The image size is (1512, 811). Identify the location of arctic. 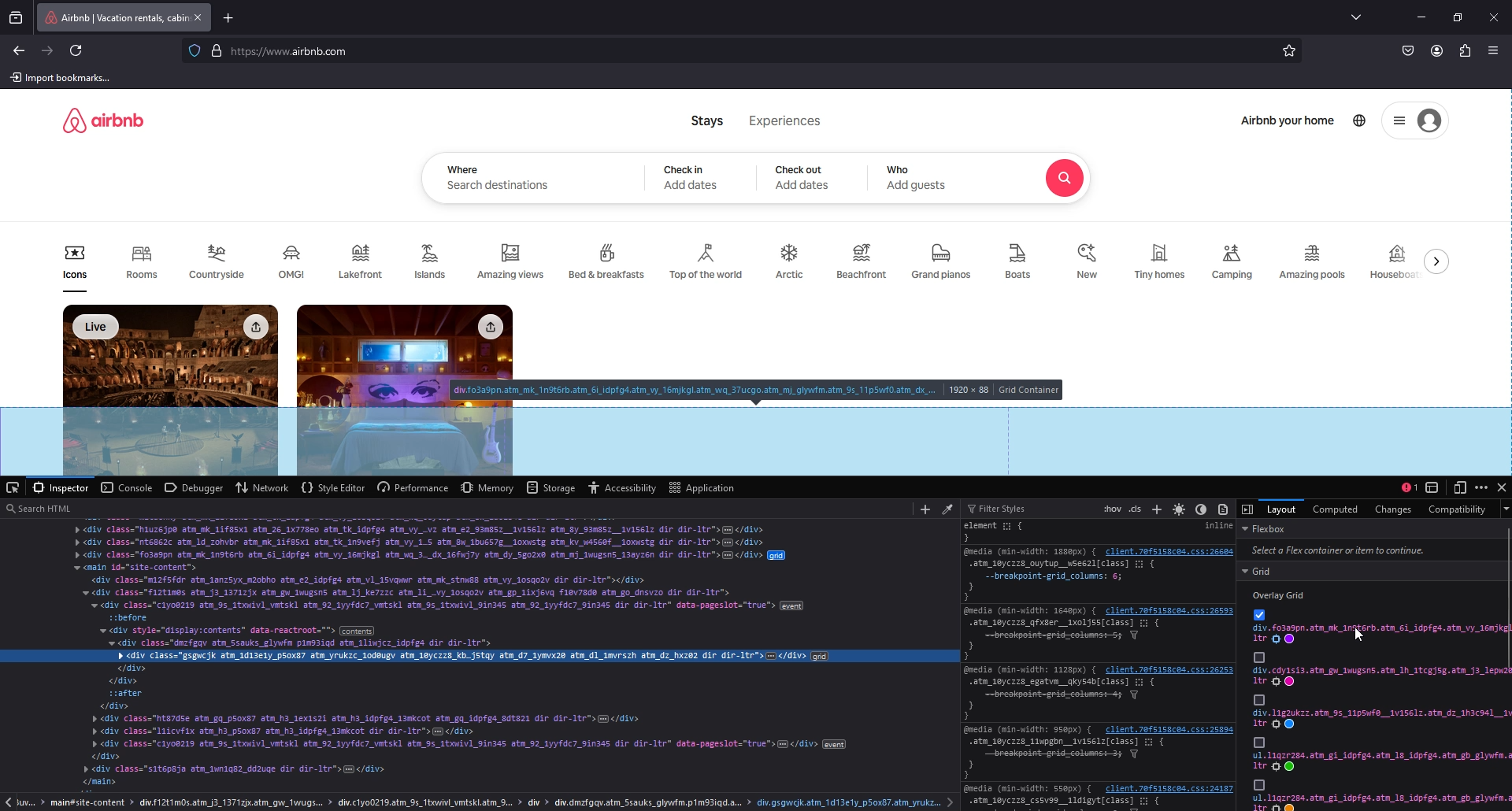
(791, 262).